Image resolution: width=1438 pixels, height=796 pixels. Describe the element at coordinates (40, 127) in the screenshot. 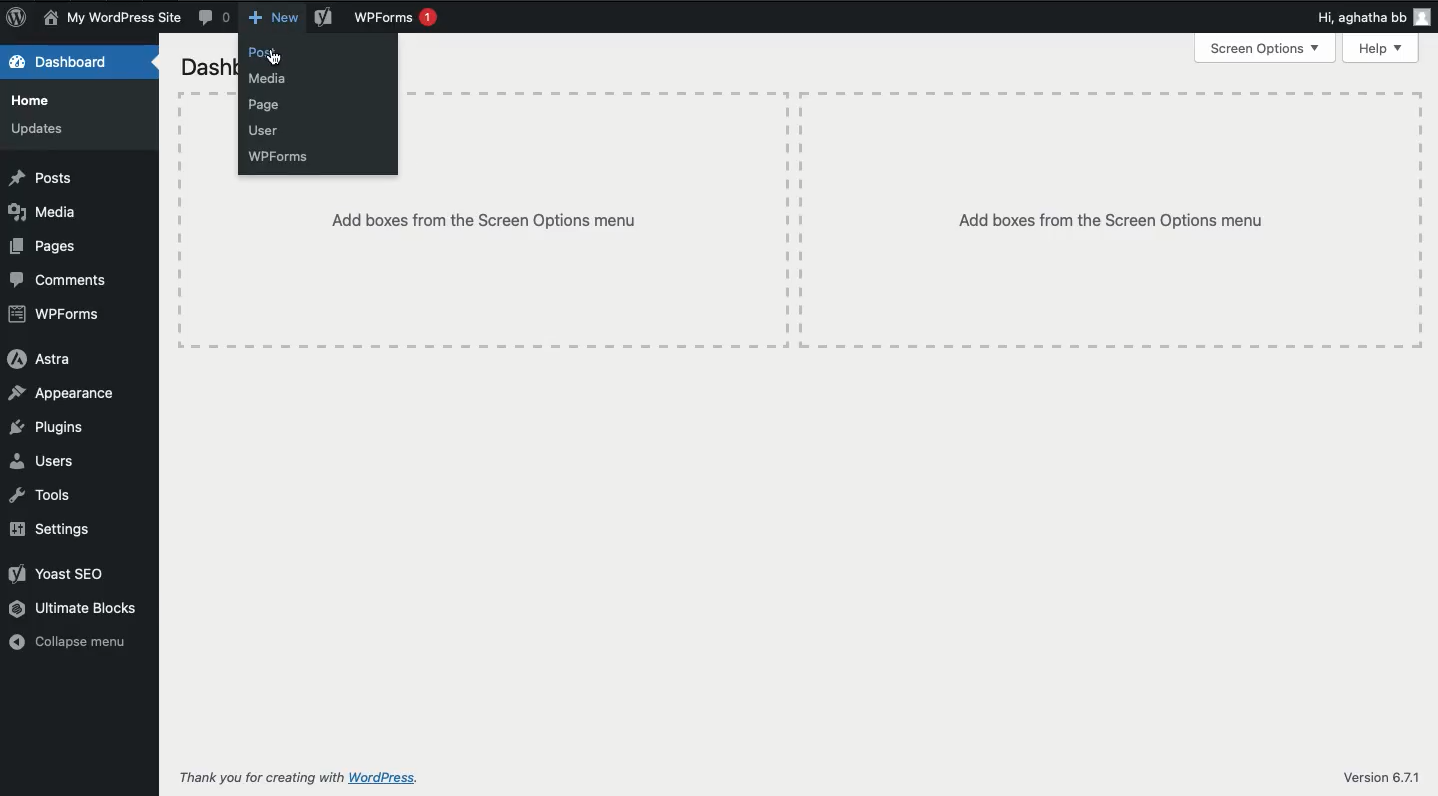

I see `Updates` at that location.